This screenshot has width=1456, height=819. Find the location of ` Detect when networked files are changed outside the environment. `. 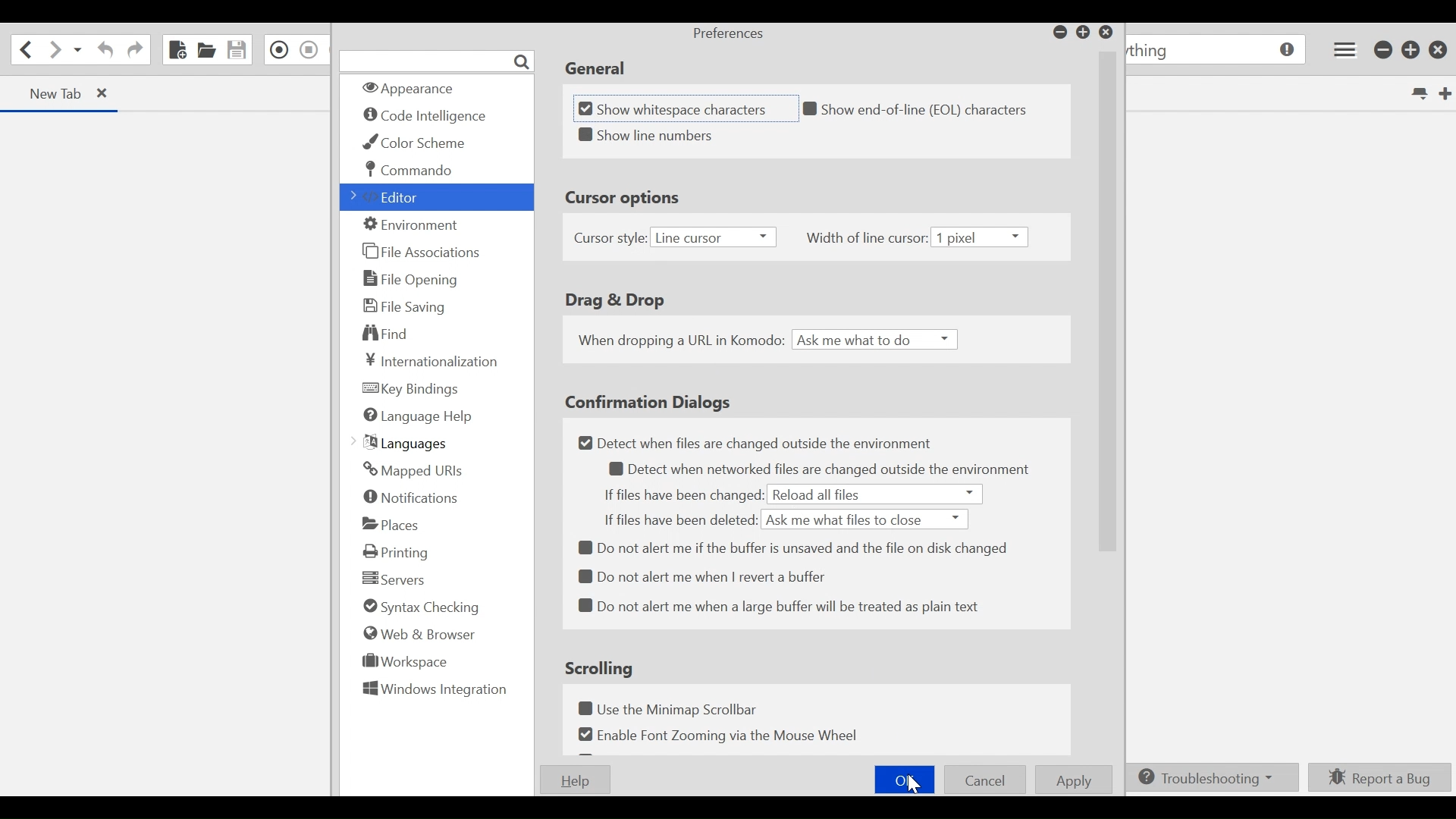

 Detect when networked files are changed outside the environment.  is located at coordinates (813, 470).